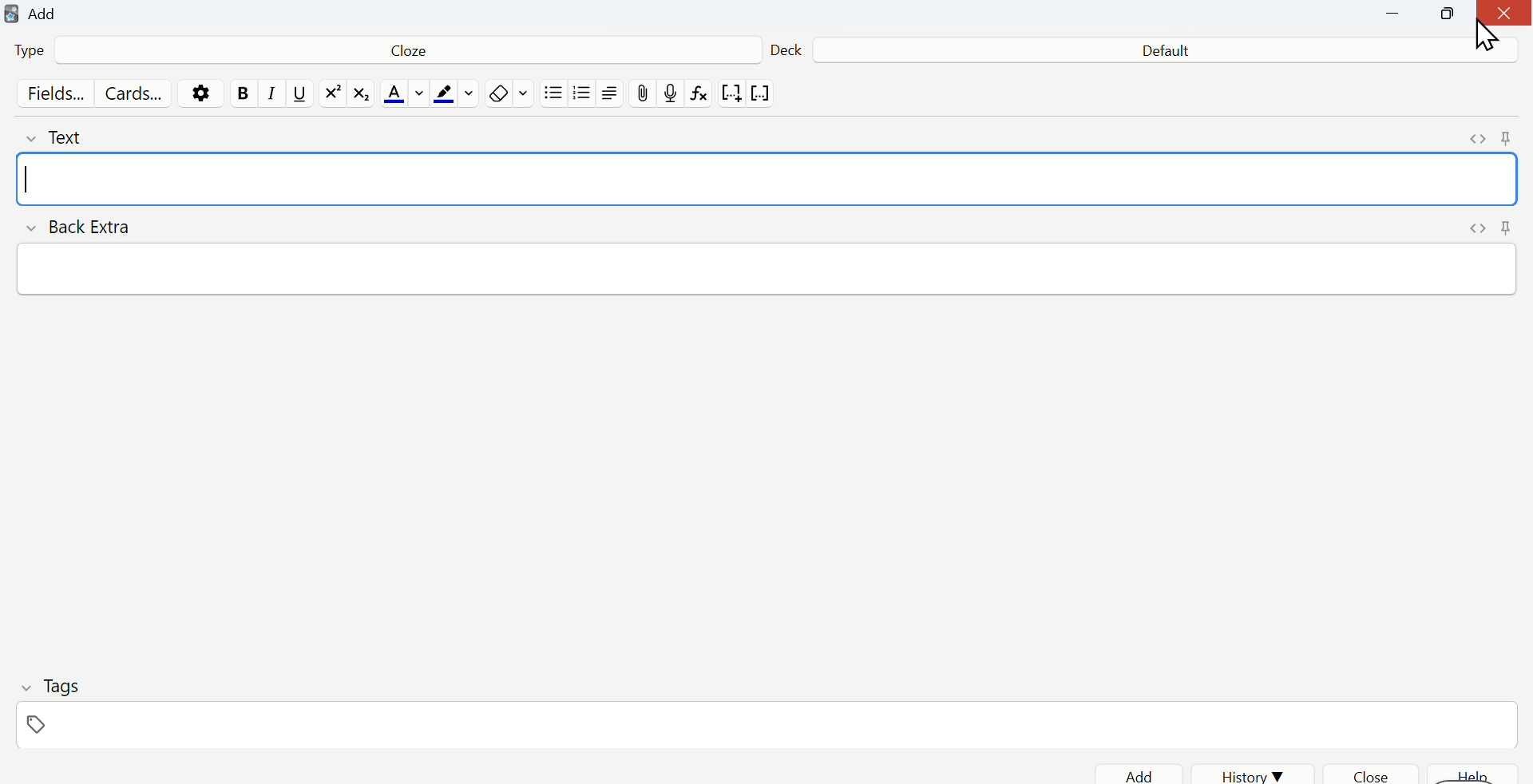  What do you see at coordinates (763, 94) in the screenshot?
I see `vector` at bounding box center [763, 94].